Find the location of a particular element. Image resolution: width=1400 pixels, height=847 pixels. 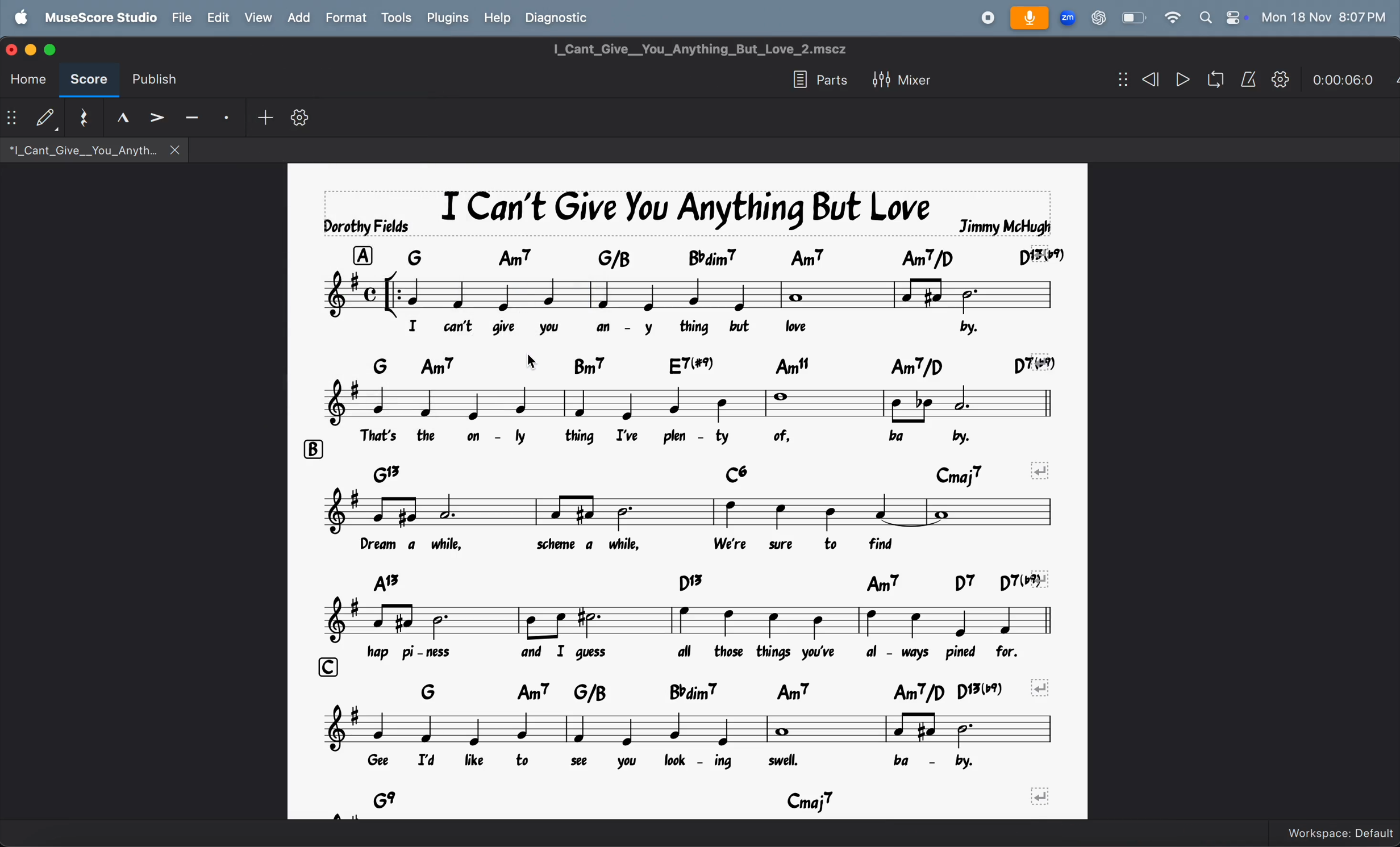

rewind is located at coordinates (1141, 81).